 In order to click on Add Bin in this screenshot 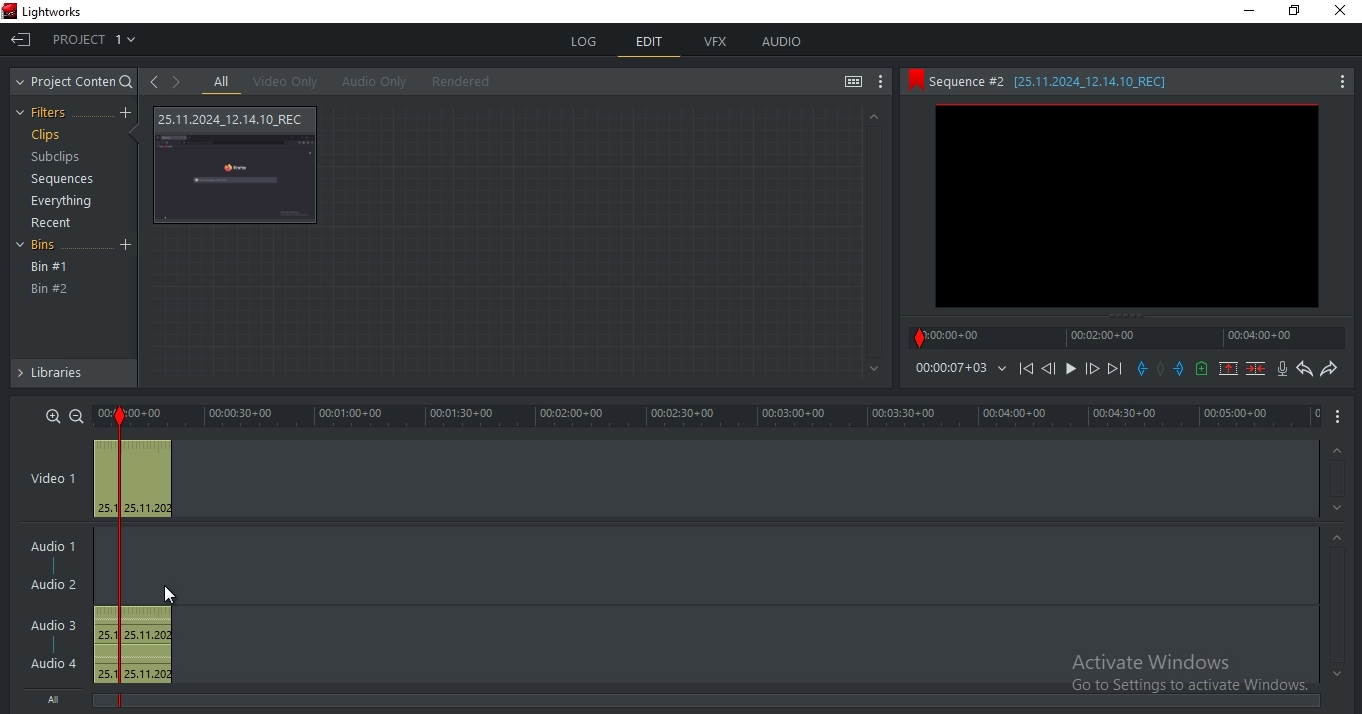, I will do `click(128, 246)`.